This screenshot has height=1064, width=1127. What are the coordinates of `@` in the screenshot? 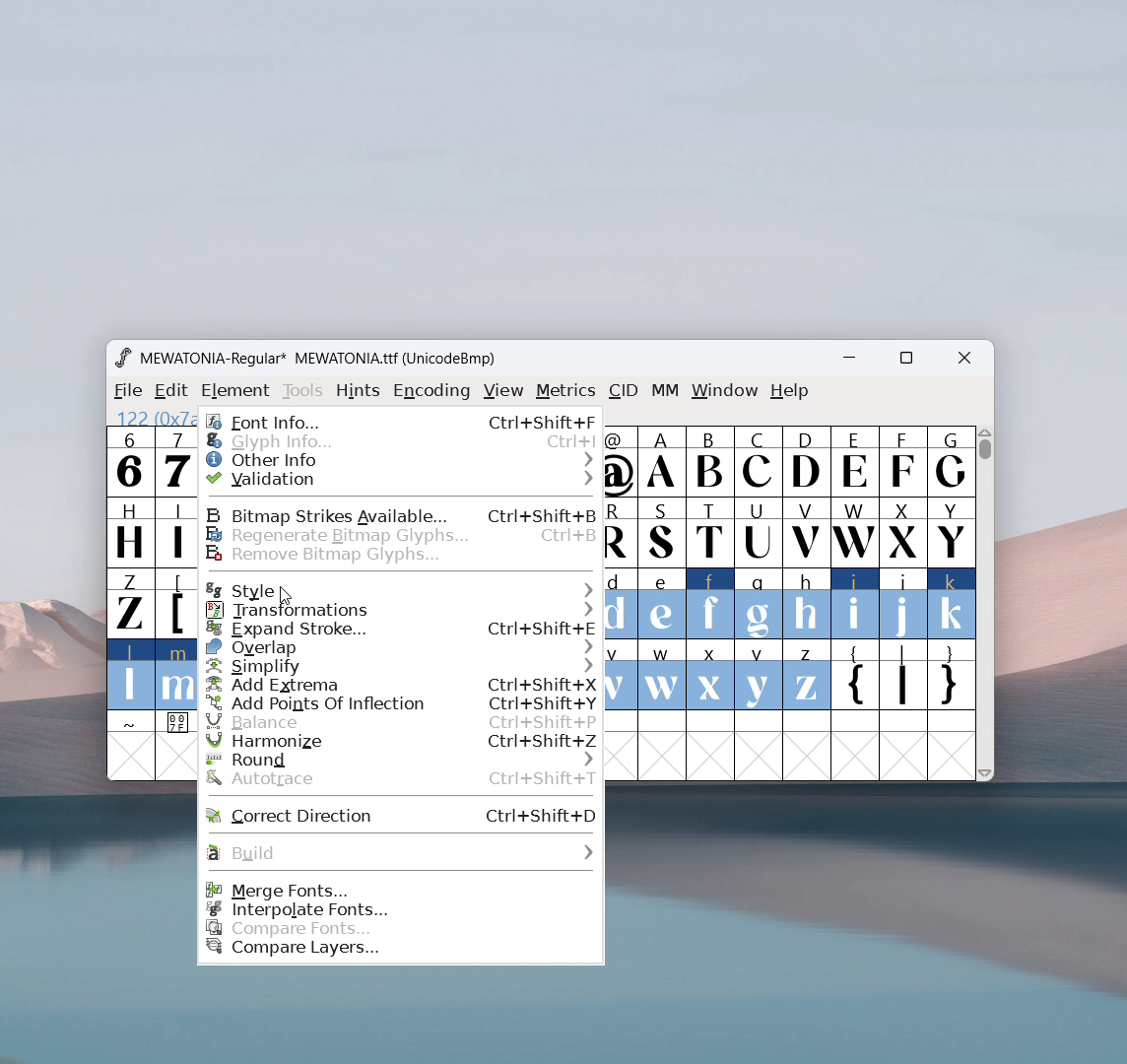 It's located at (622, 462).